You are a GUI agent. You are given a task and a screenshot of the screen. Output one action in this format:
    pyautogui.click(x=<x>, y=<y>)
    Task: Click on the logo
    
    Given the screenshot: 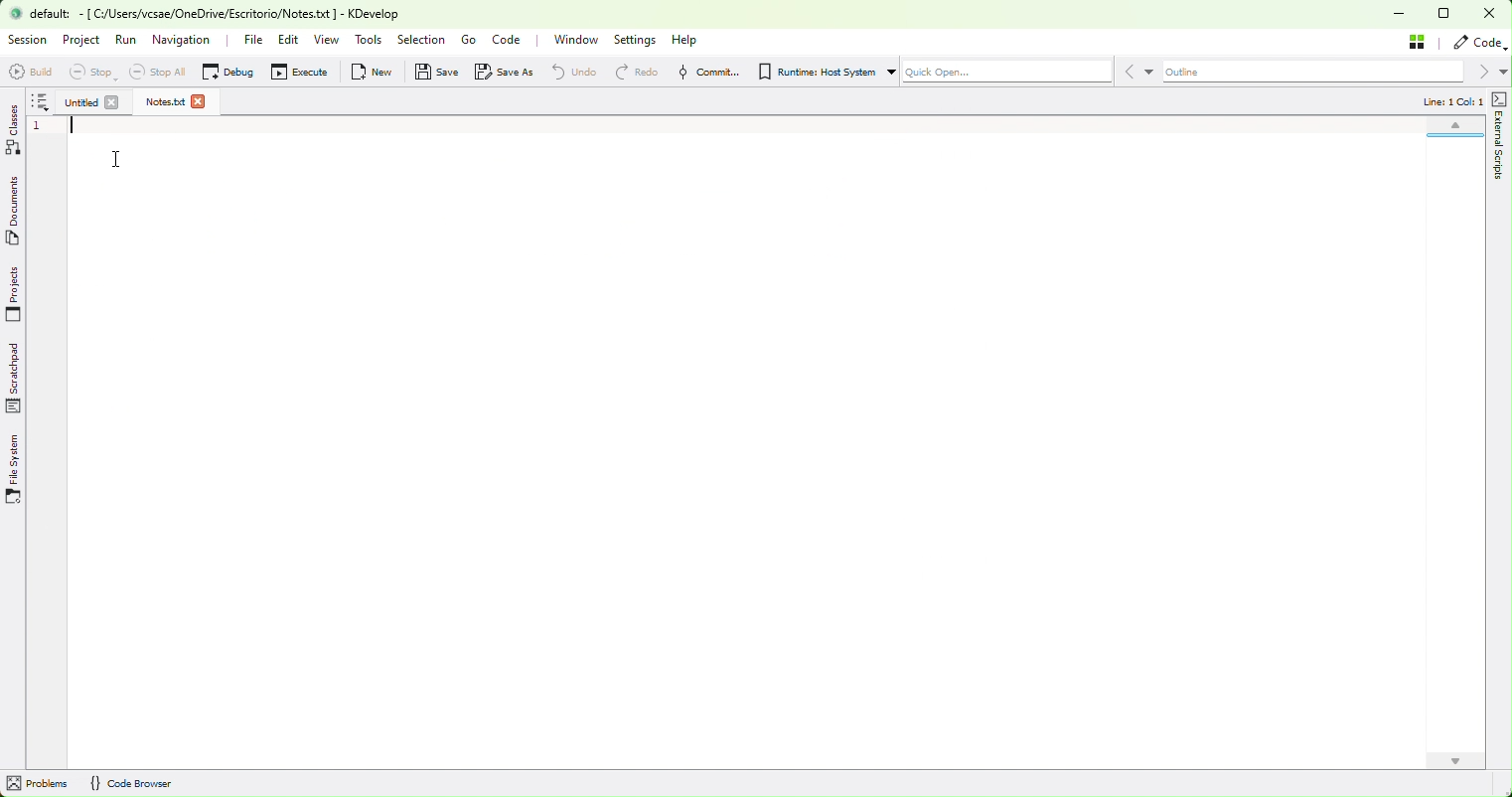 What is the action you would take?
    pyautogui.click(x=16, y=13)
    